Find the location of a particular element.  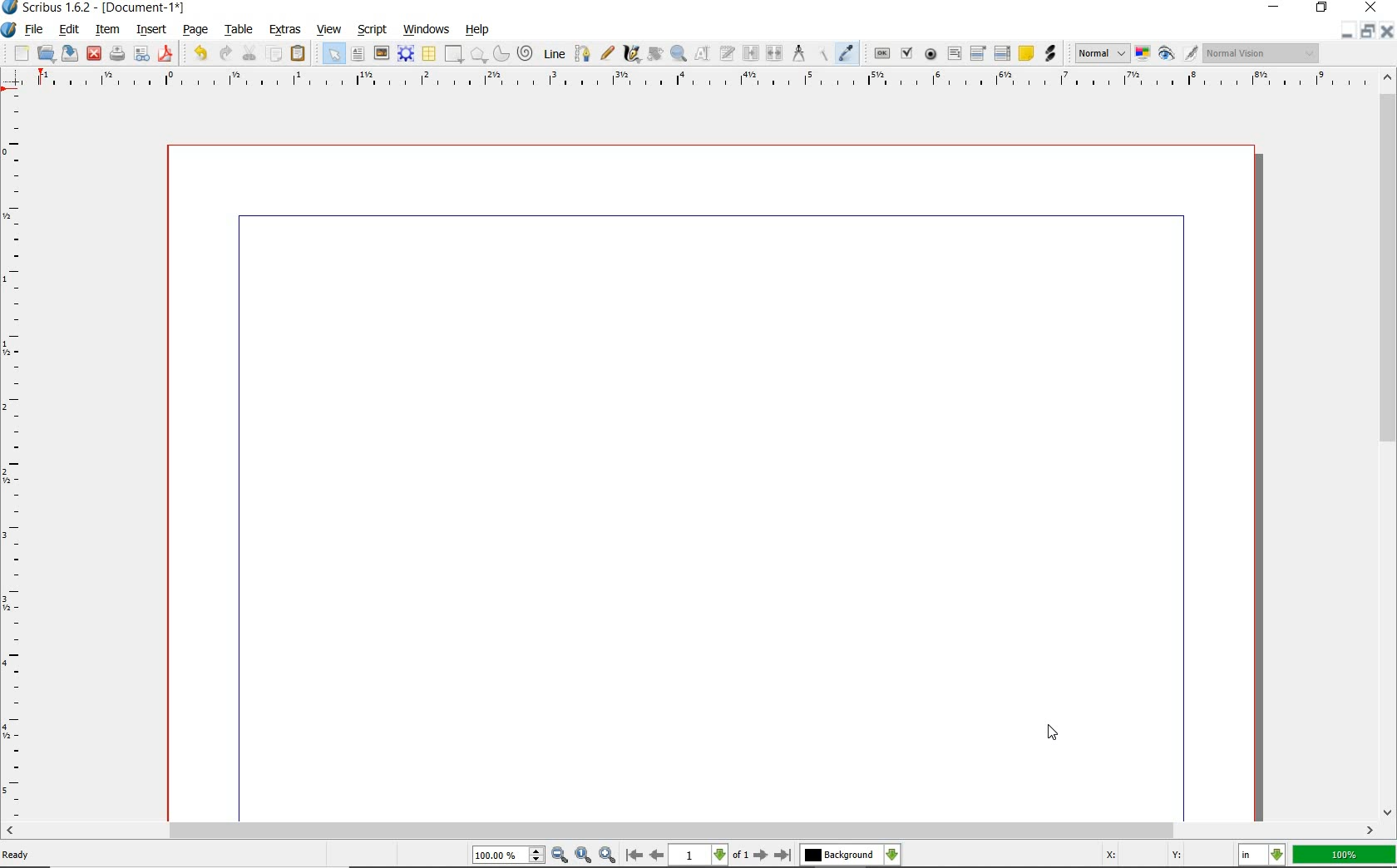

visual appearance of the display is located at coordinates (1262, 52).